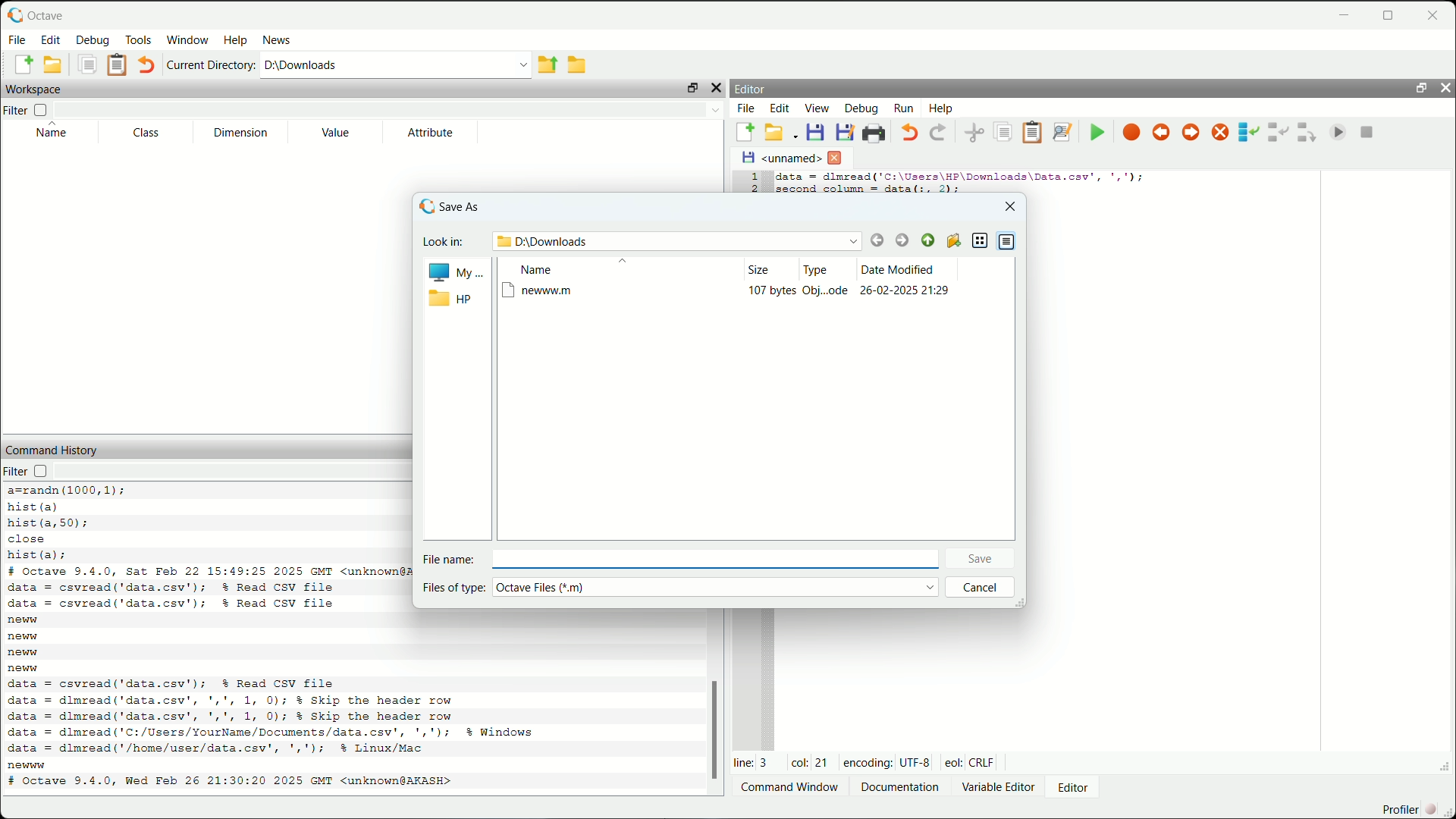 The image size is (1456, 819). What do you see at coordinates (1419, 86) in the screenshot?
I see `unlock widget` at bounding box center [1419, 86].